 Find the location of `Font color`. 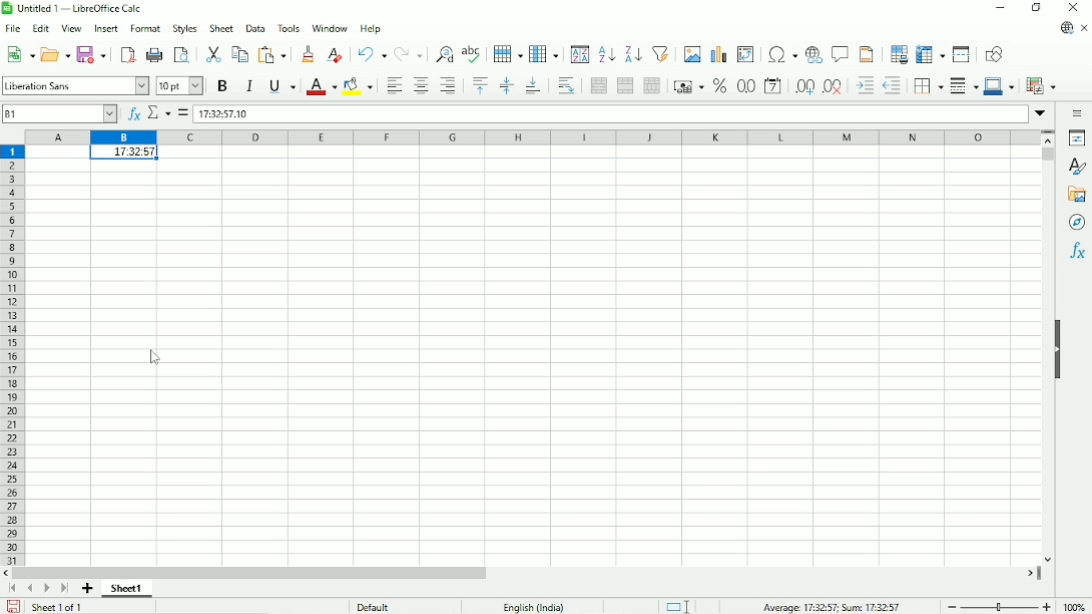

Font color is located at coordinates (322, 85).